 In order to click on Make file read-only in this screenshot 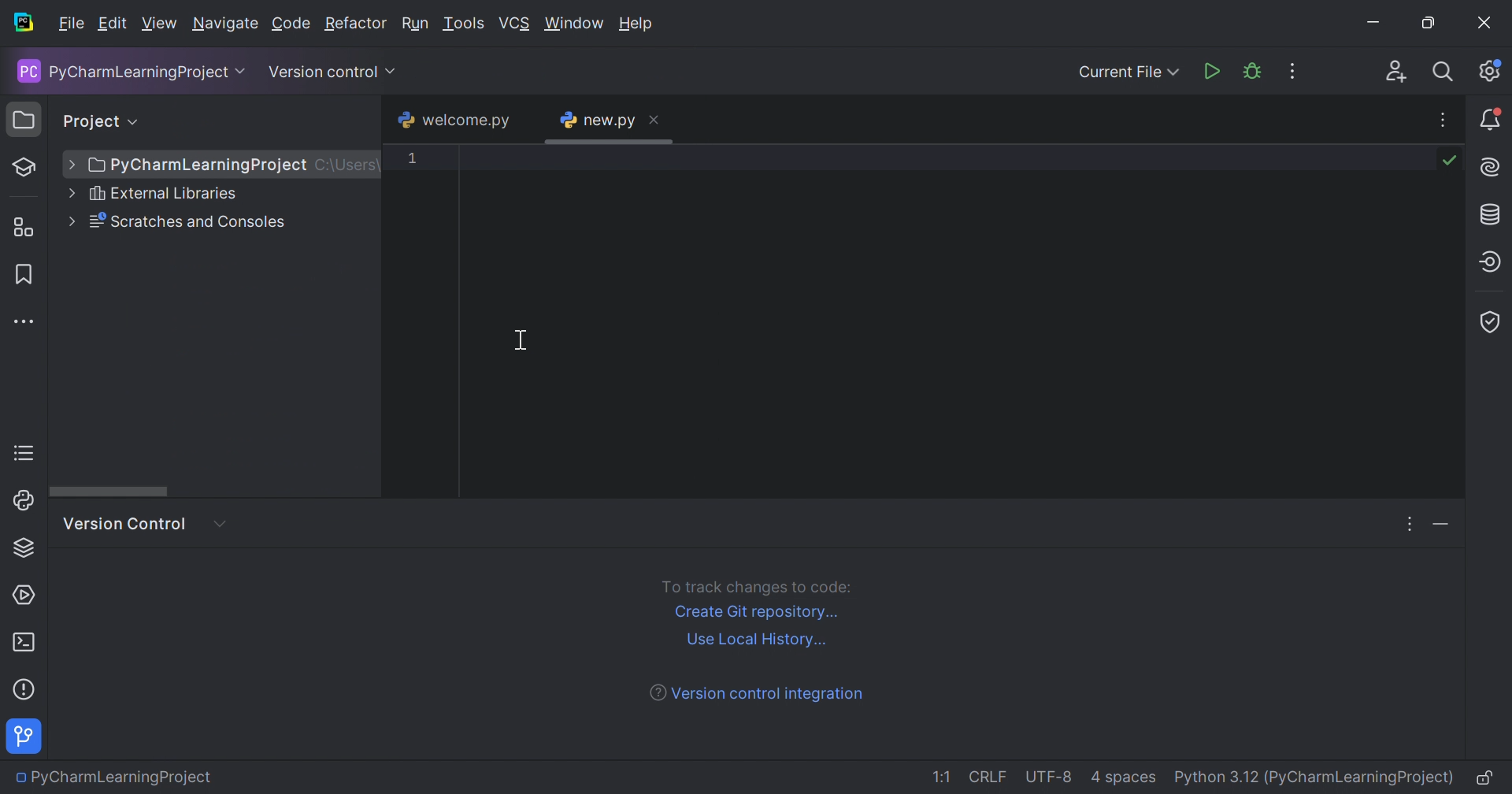, I will do `click(1487, 779)`.